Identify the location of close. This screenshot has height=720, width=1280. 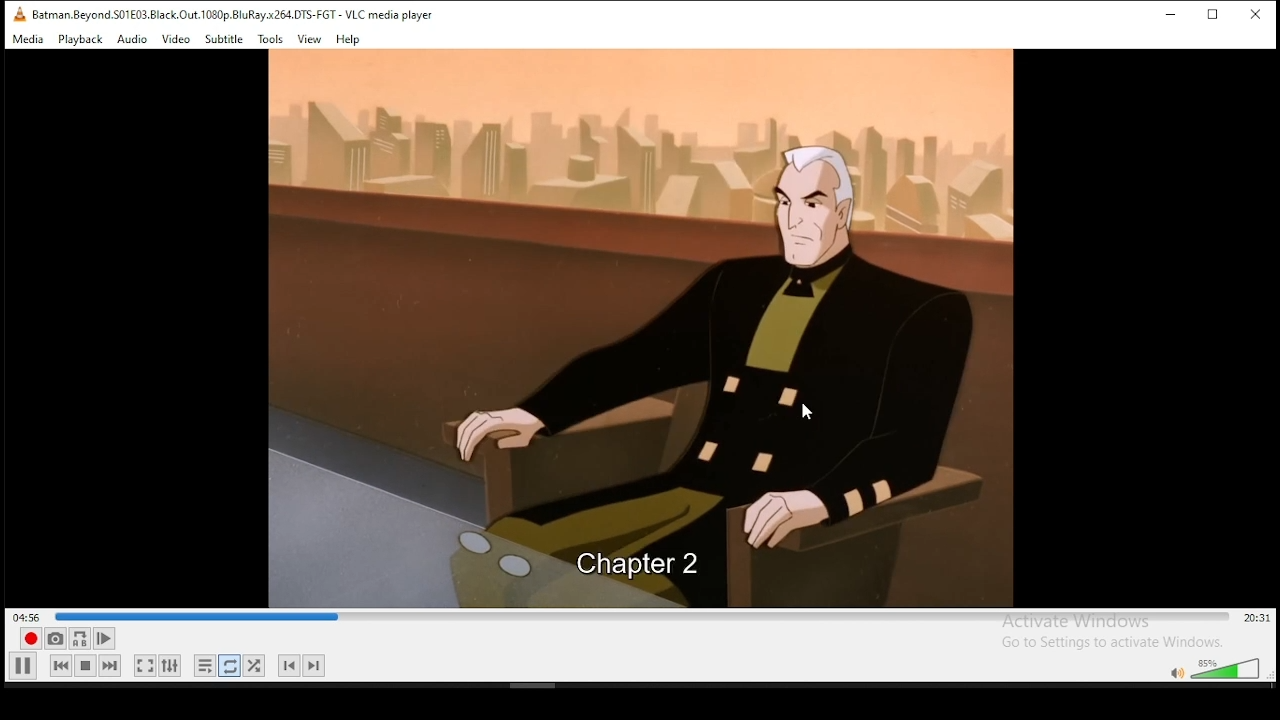
(1255, 15).